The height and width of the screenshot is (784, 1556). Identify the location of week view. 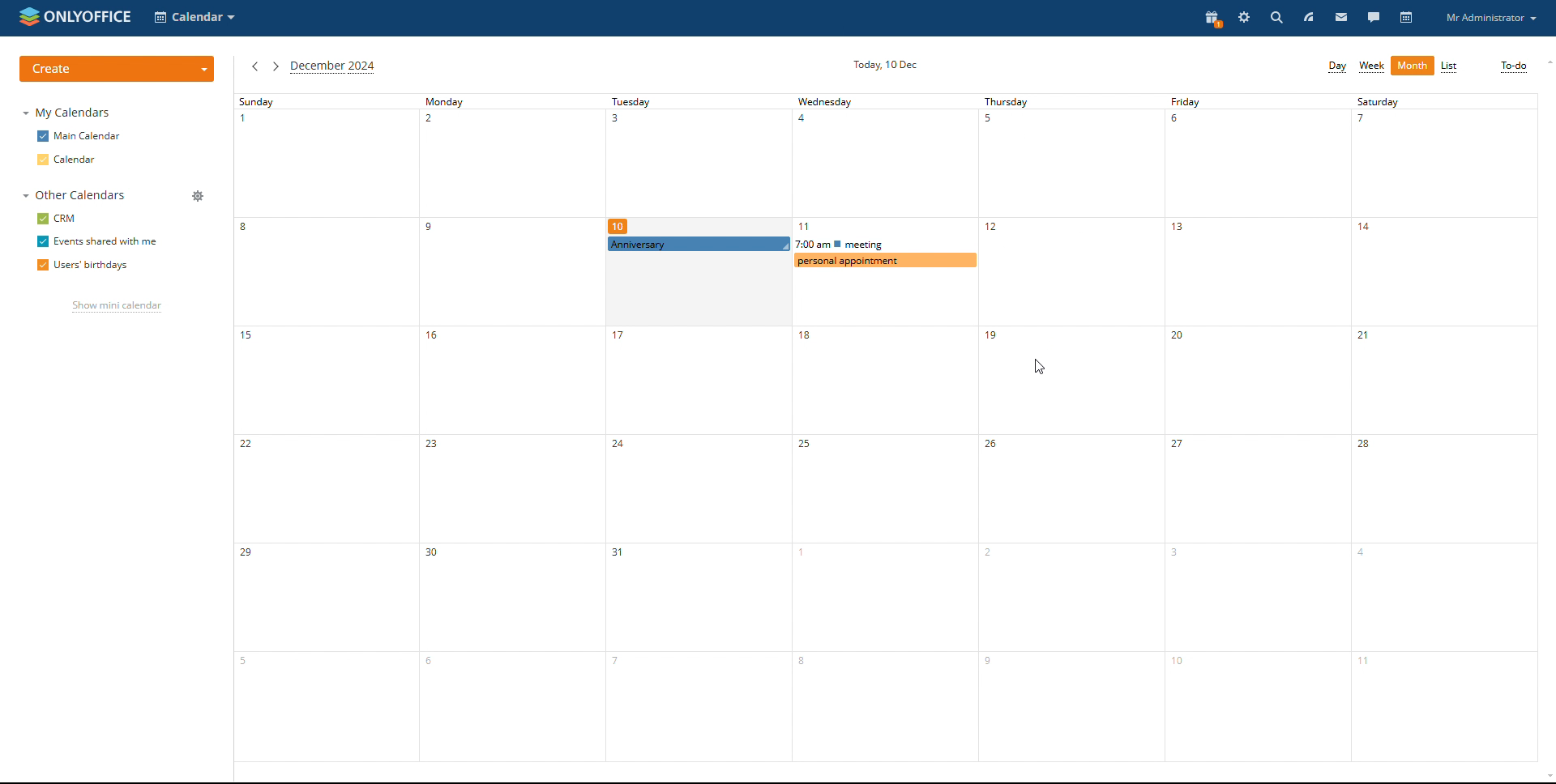
(1372, 67).